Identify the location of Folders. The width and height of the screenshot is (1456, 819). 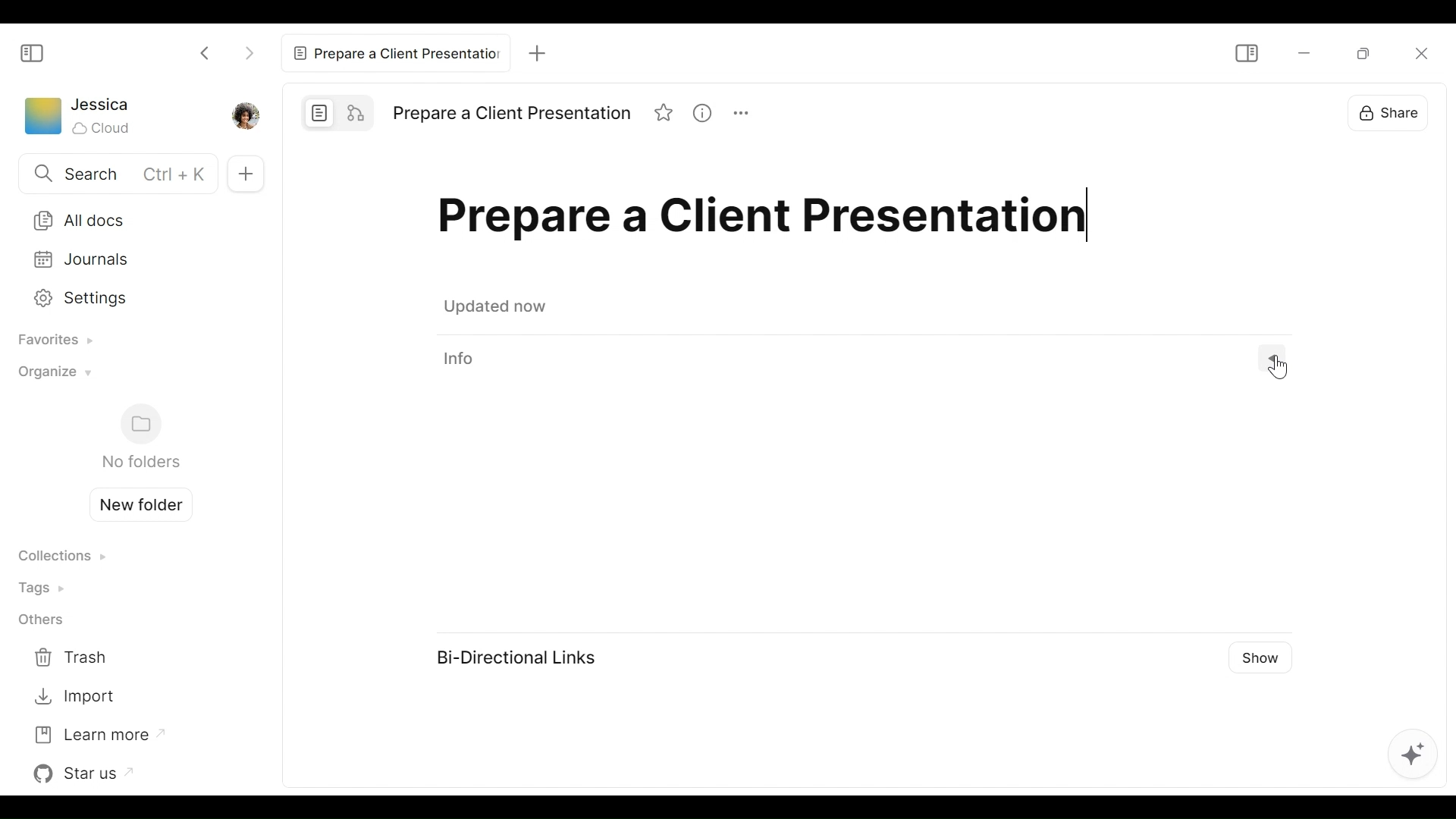
(140, 438).